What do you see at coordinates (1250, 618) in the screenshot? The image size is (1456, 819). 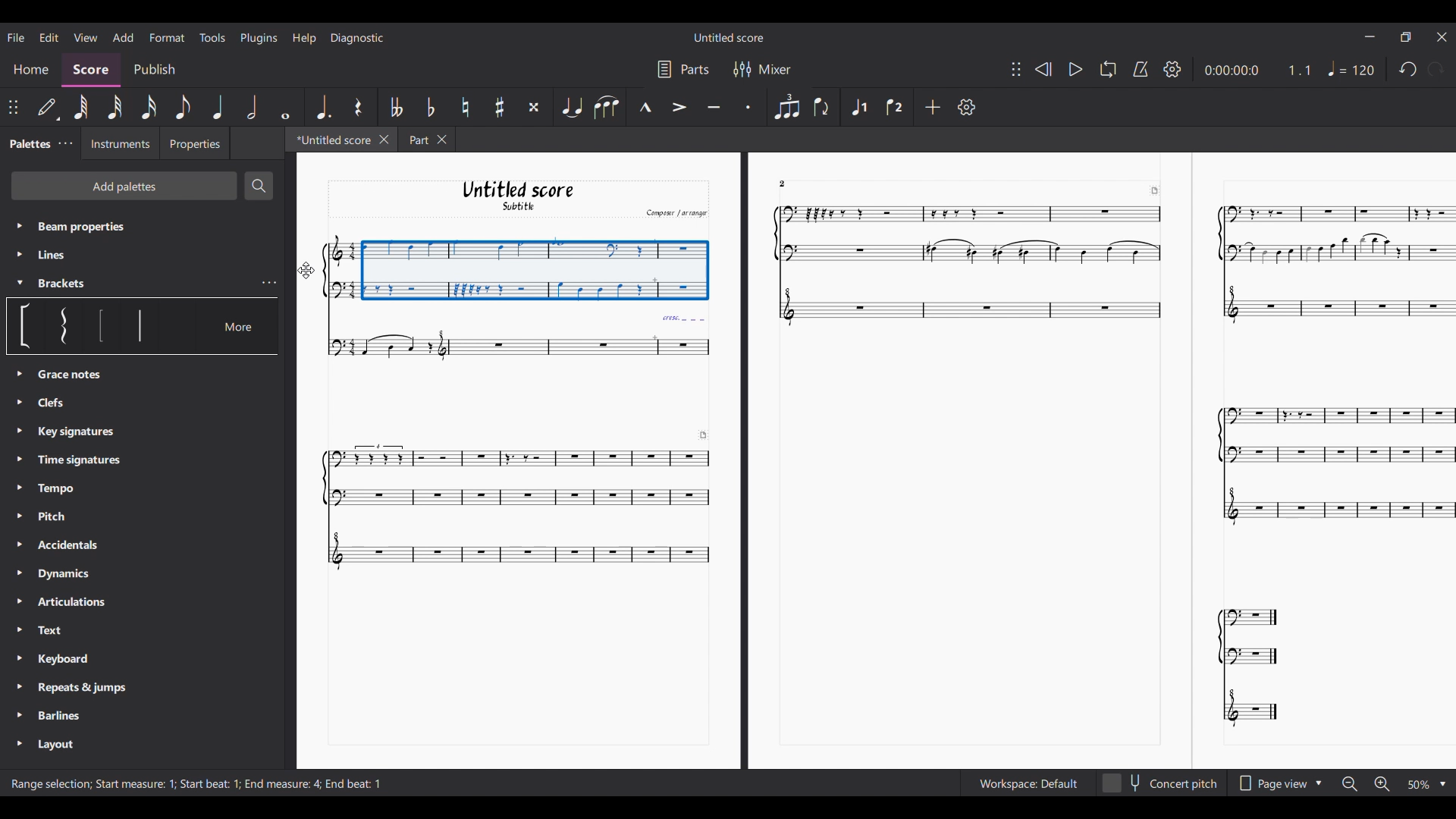 I see `` at bounding box center [1250, 618].